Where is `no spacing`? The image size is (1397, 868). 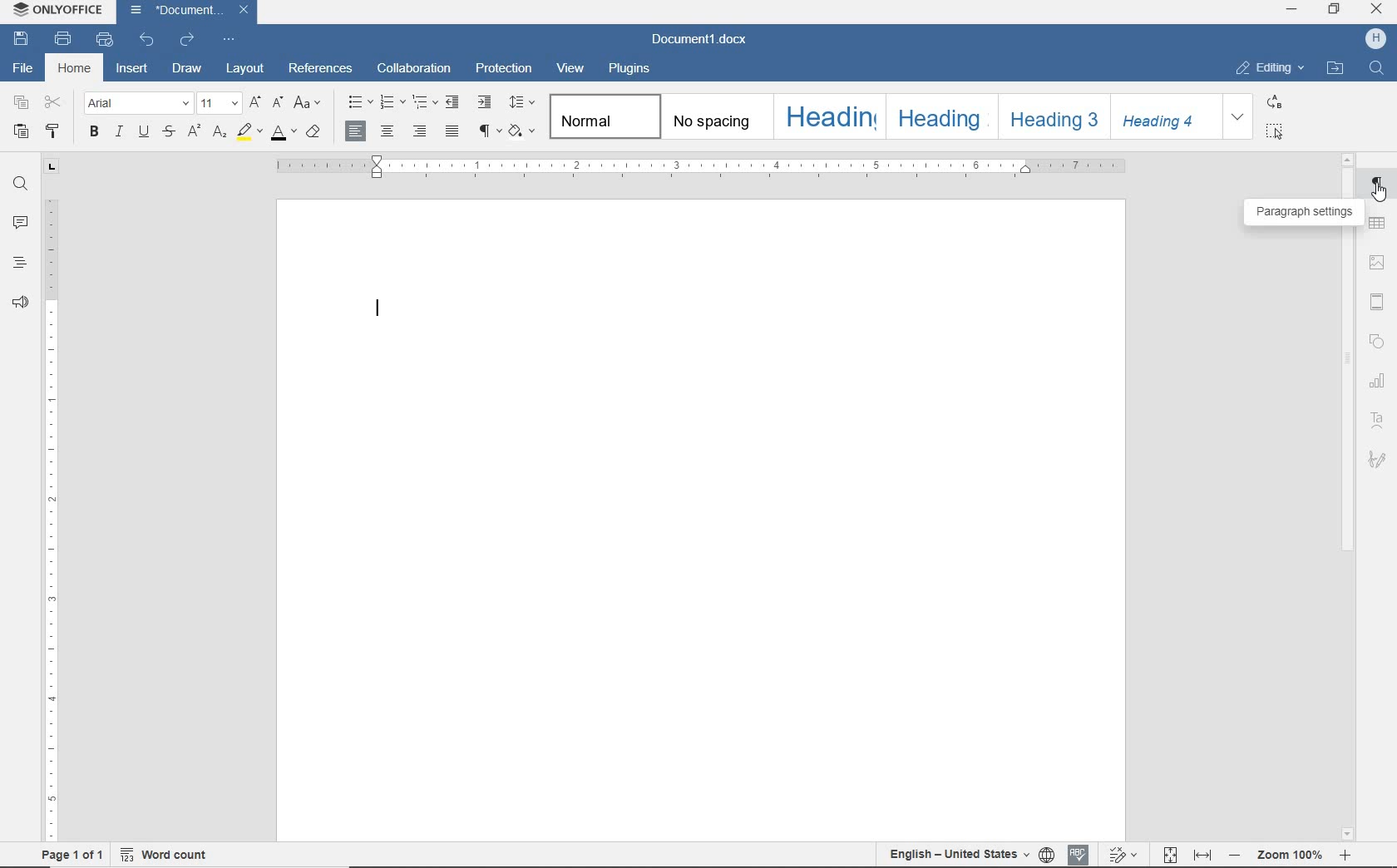 no spacing is located at coordinates (715, 123).